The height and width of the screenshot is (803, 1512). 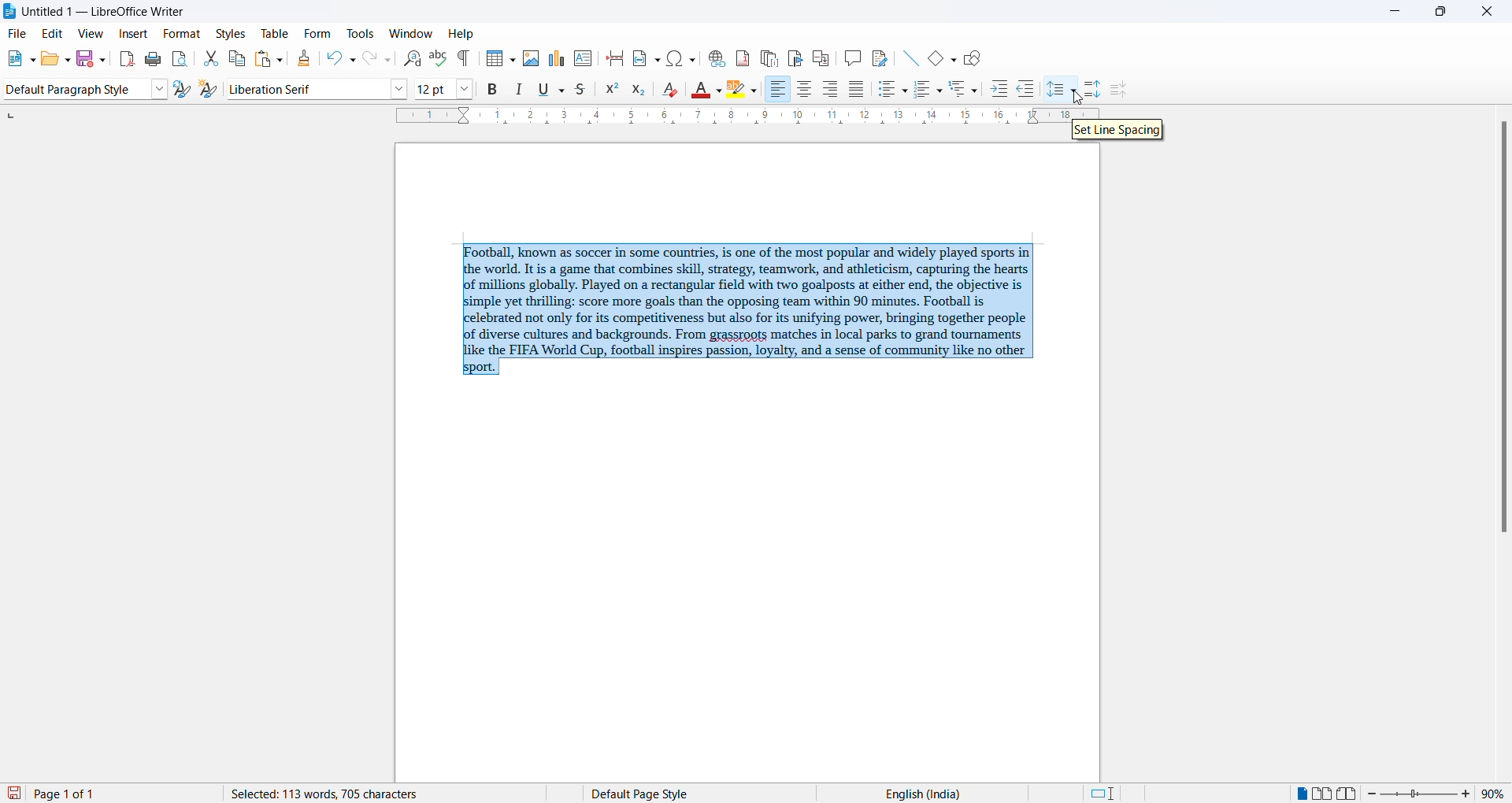 I want to click on insert table grid, so click(x=512, y=58).